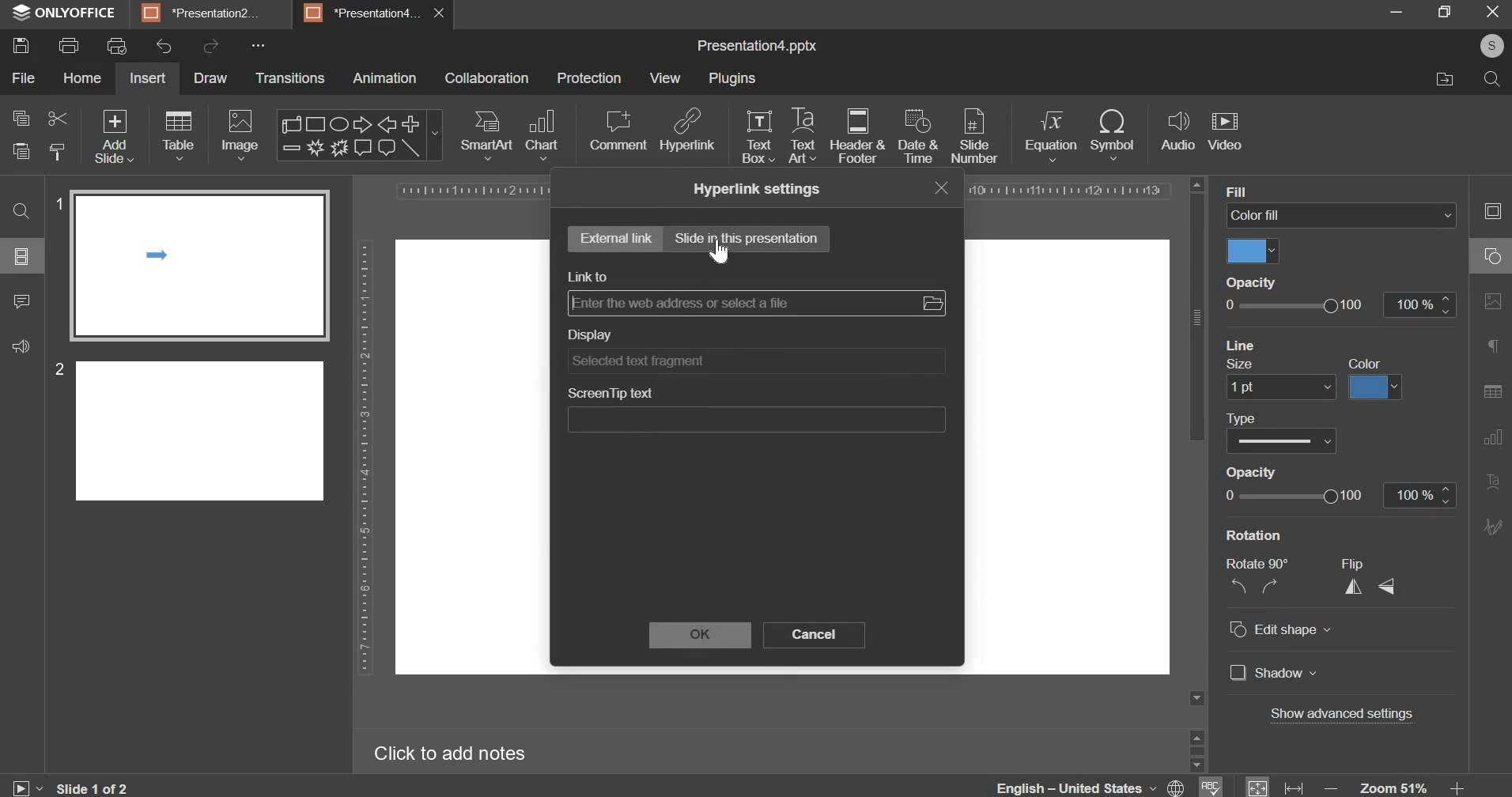 The height and width of the screenshot is (797, 1512). Describe the element at coordinates (617, 131) in the screenshot. I see `comment` at that location.